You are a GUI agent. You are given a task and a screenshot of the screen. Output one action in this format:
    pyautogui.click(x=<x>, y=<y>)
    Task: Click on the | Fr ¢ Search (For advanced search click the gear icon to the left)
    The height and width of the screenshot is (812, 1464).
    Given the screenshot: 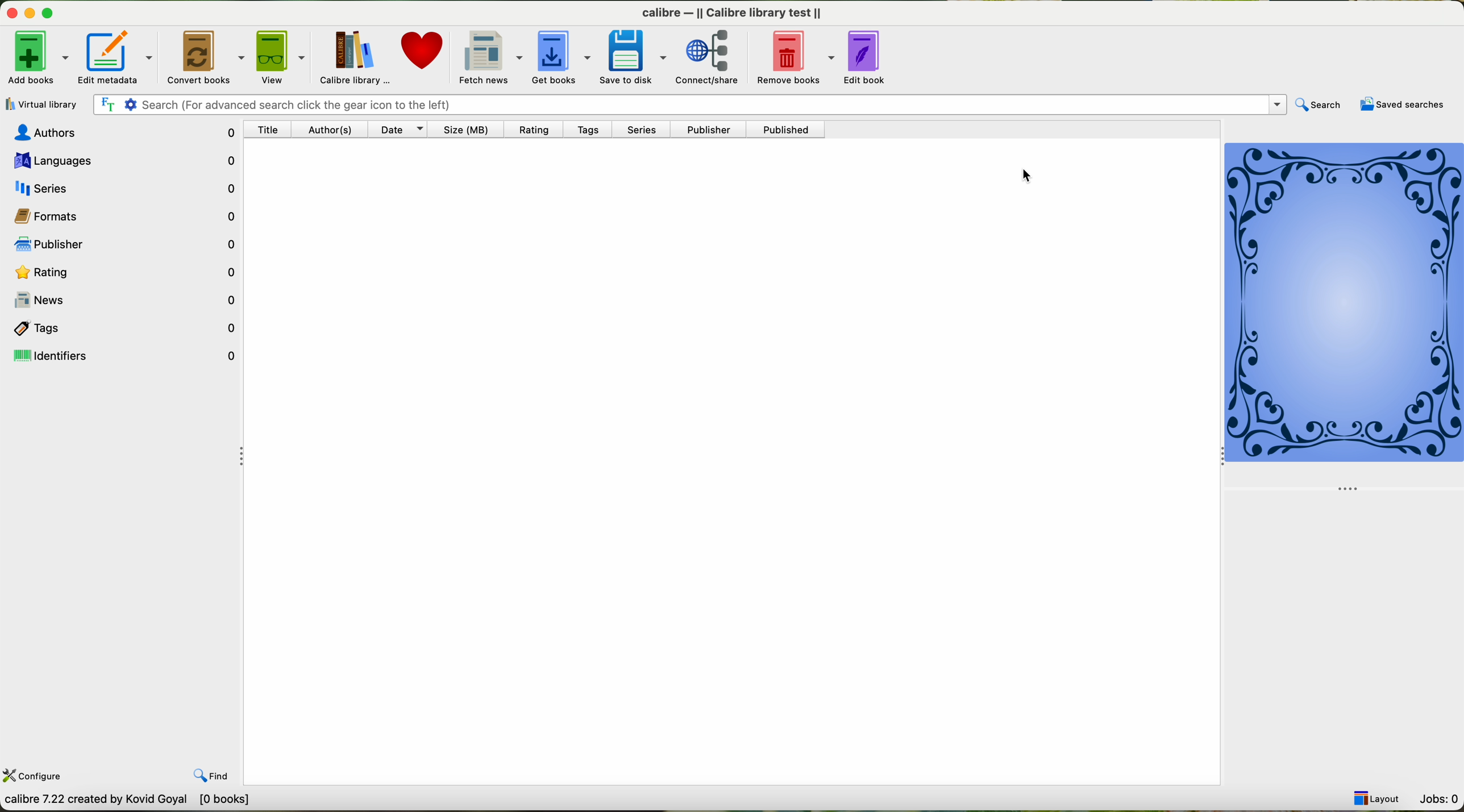 What is the action you would take?
    pyautogui.click(x=685, y=103)
    